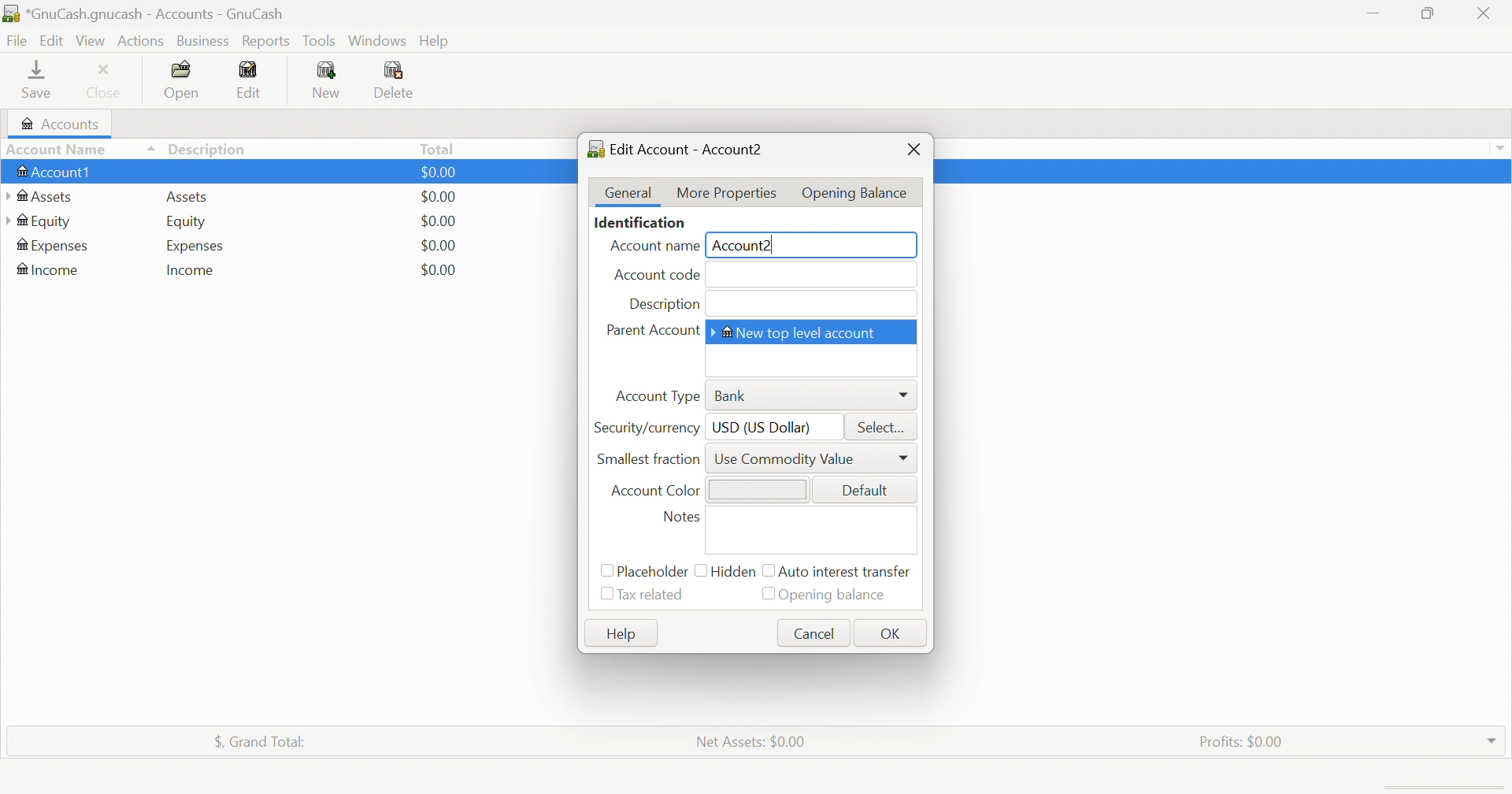 Image resolution: width=1512 pixels, height=794 pixels. Describe the element at coordinates (319, 42) in the screenshot. I see `Tools` at that location.